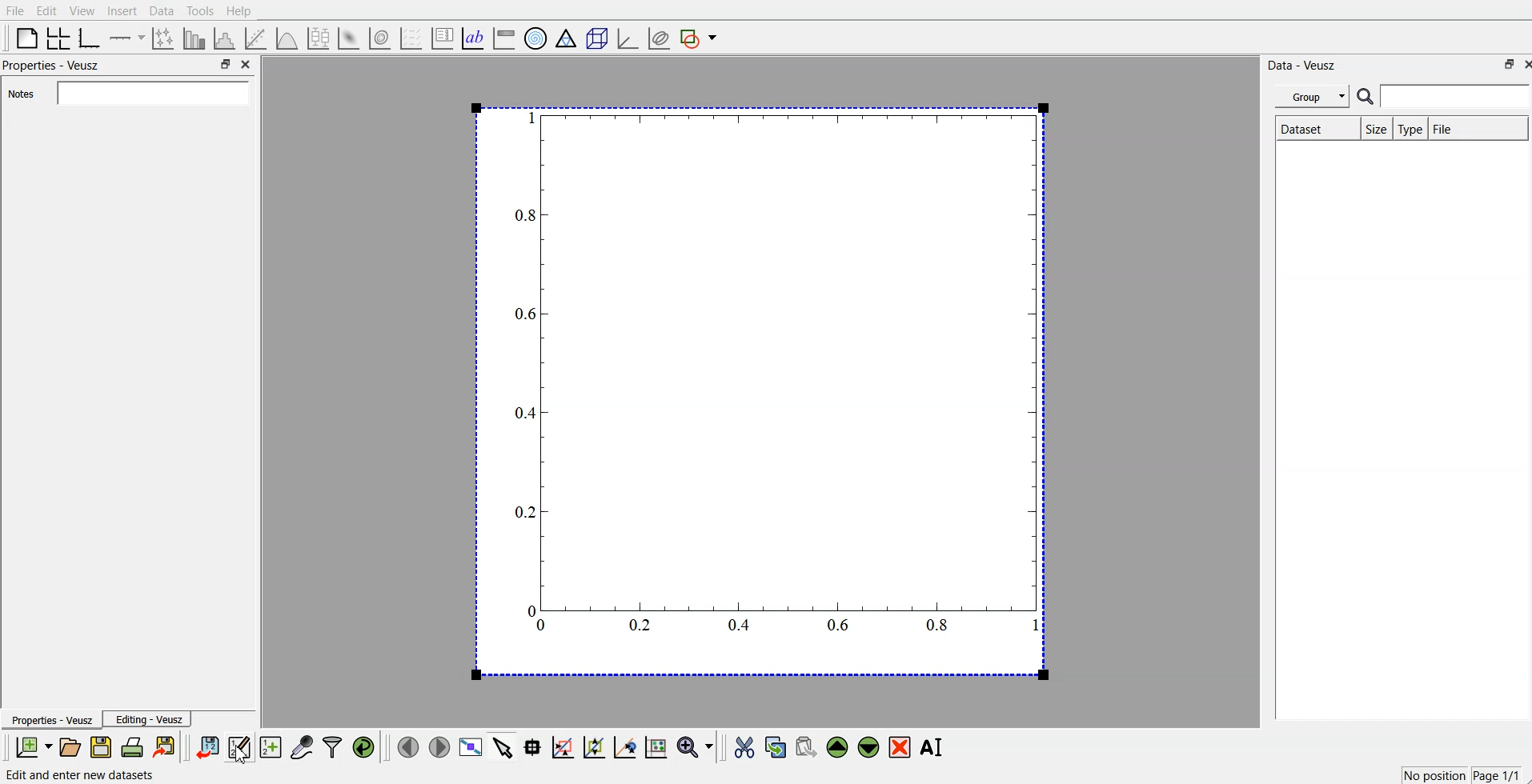 The image size is (1532, 784). What do you see at coordinates (332, 747) in the screenshot?
I see `filter data` at bounding box center [332, 747].